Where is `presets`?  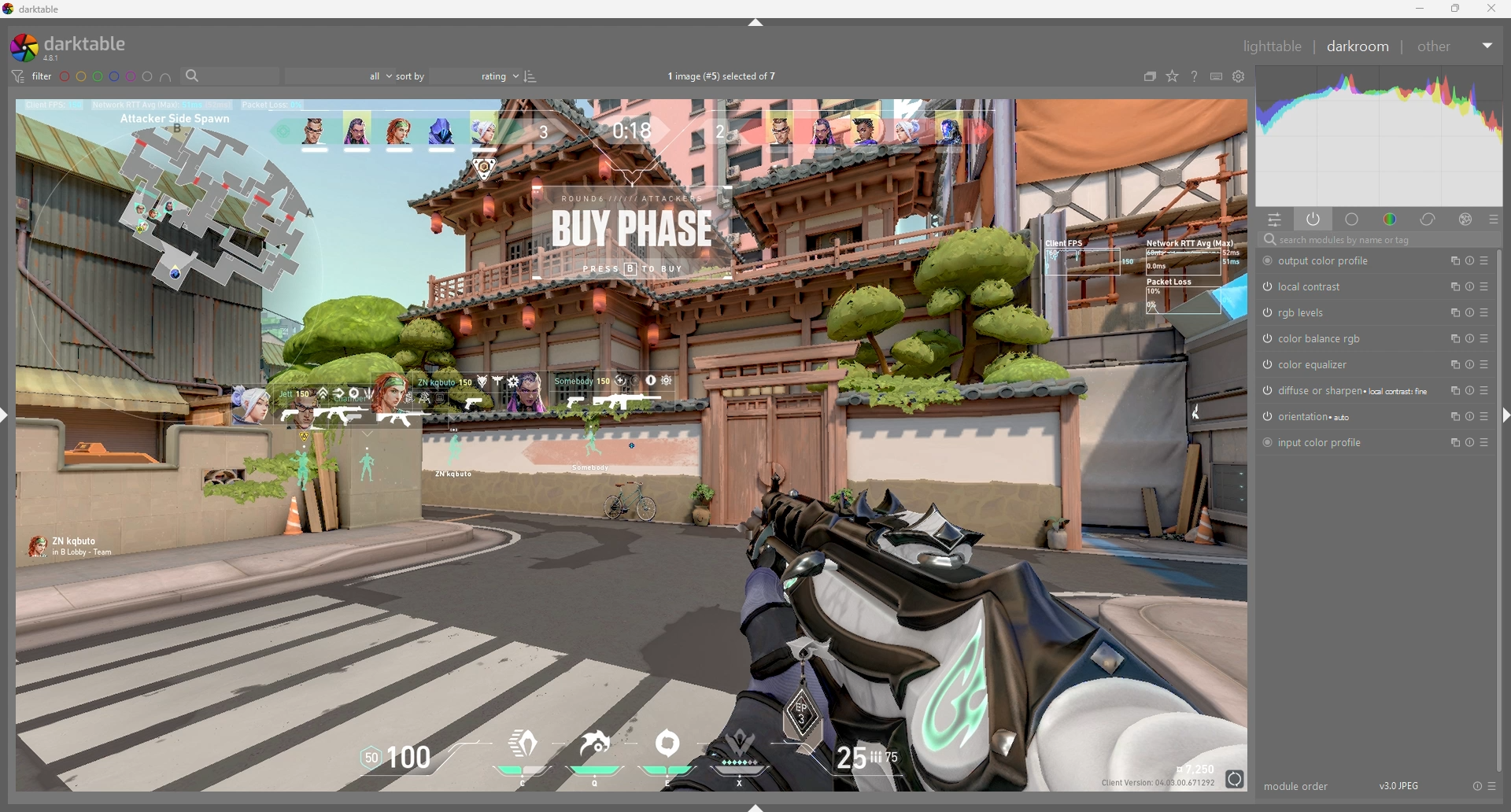 presets is located at coordinates (1485, 286).